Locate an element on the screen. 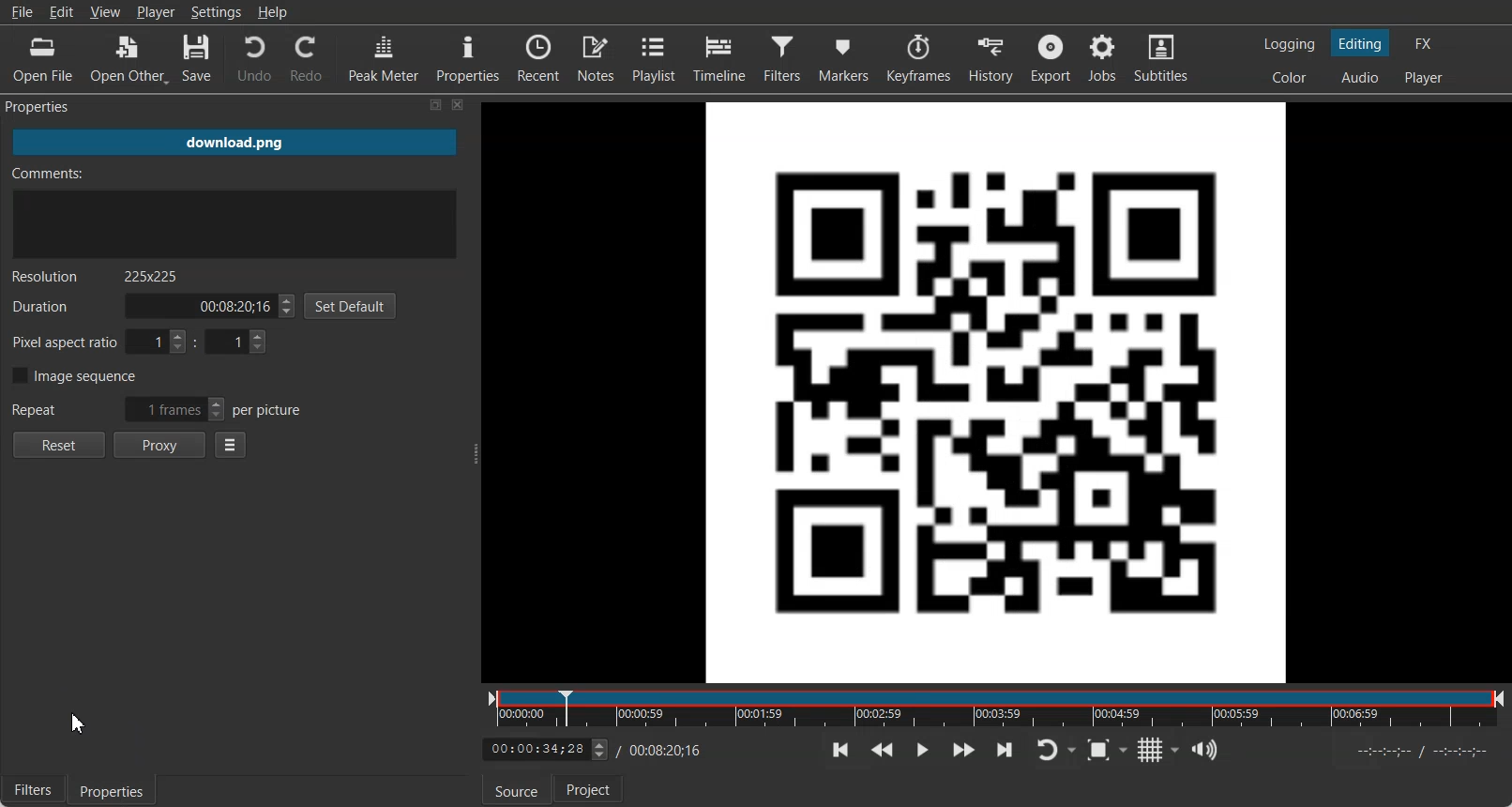 The width and height of the screenshot is (1512, 807). Markers is located at coordinates (843, 58).